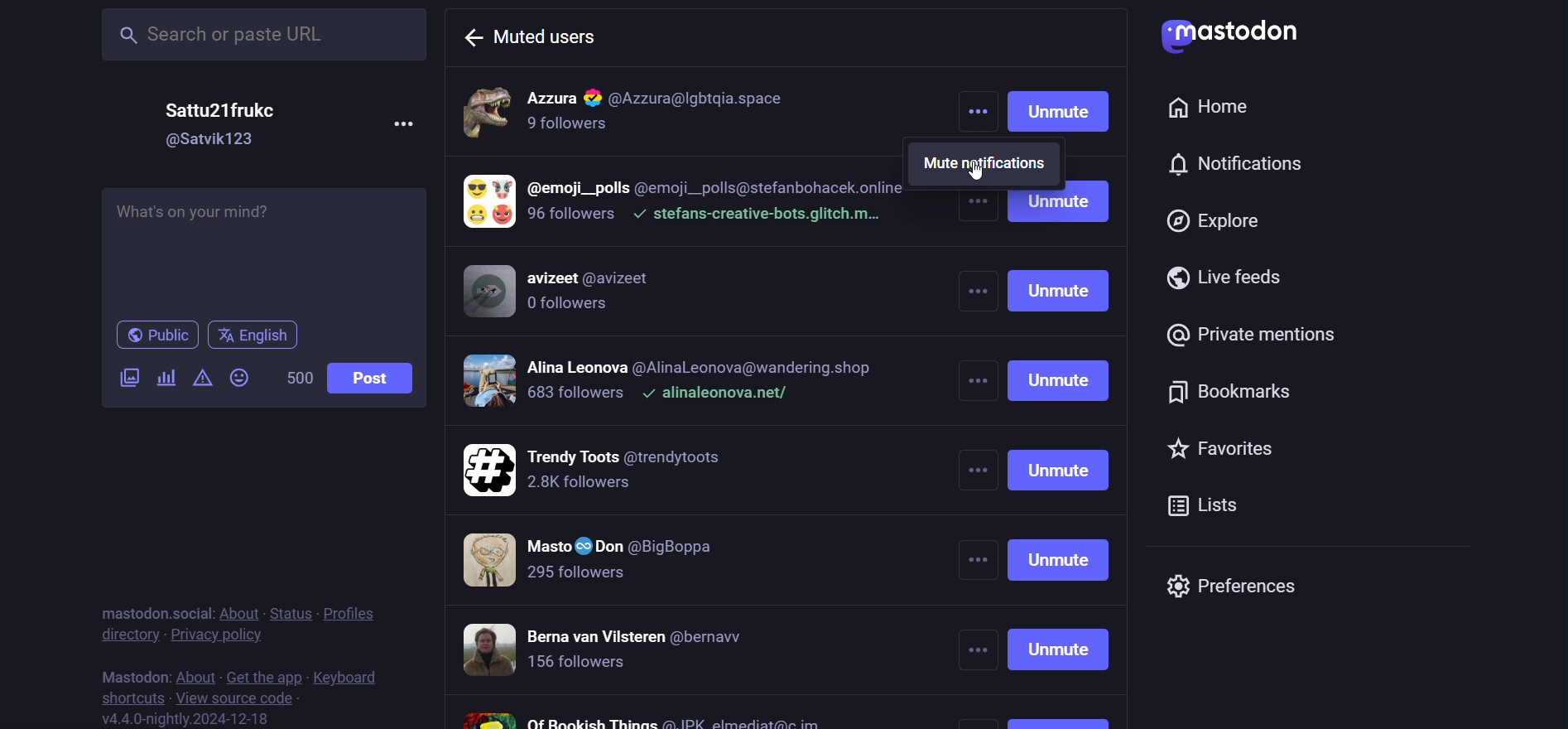 This screenshot has height=729, width=1568. Describe the element at coordinates (634, 650) in the screenshot. I see `muter users 7` at that location.